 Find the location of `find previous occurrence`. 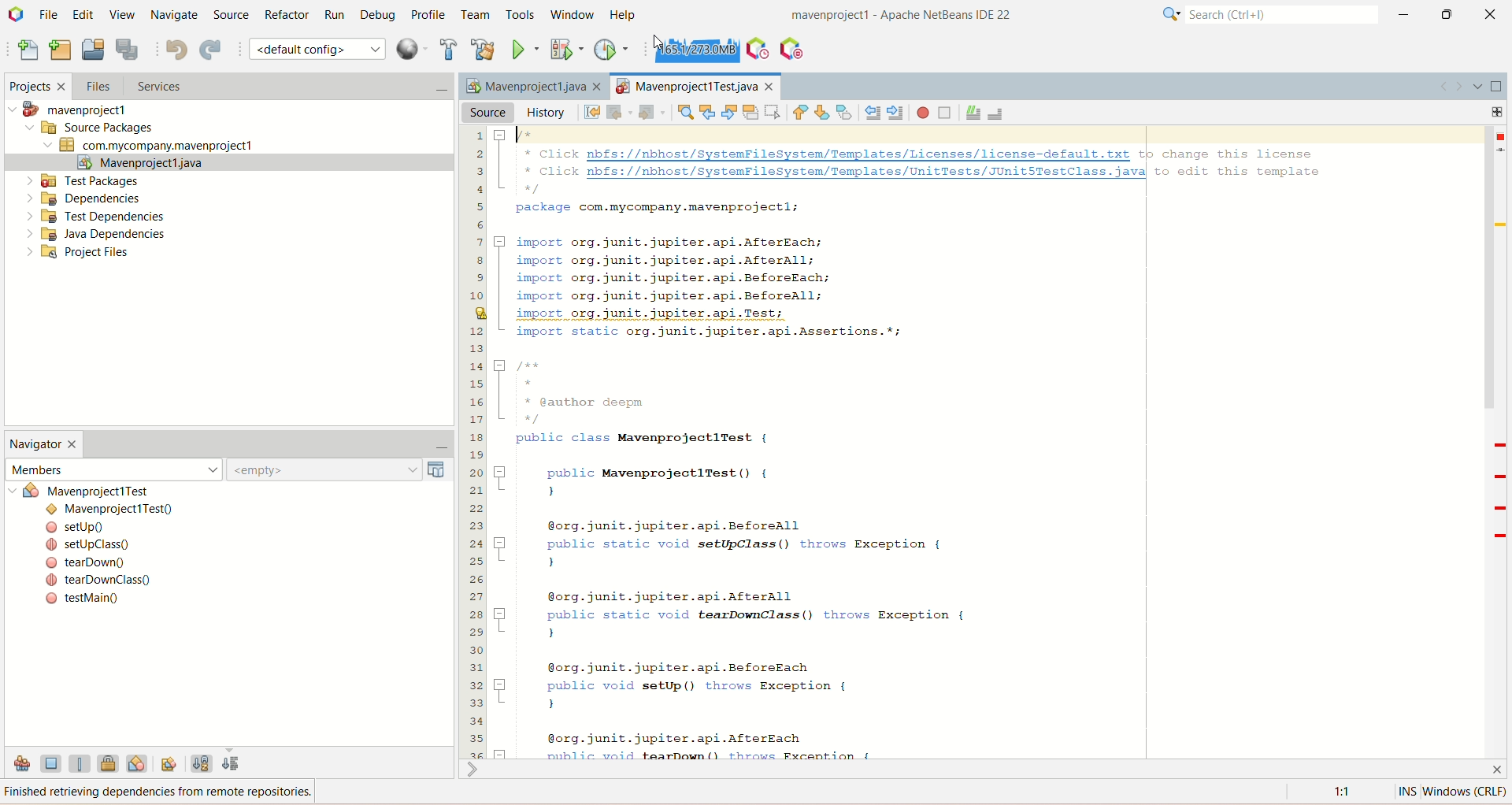

find previous occurrence is located at coordinates (710, 112).